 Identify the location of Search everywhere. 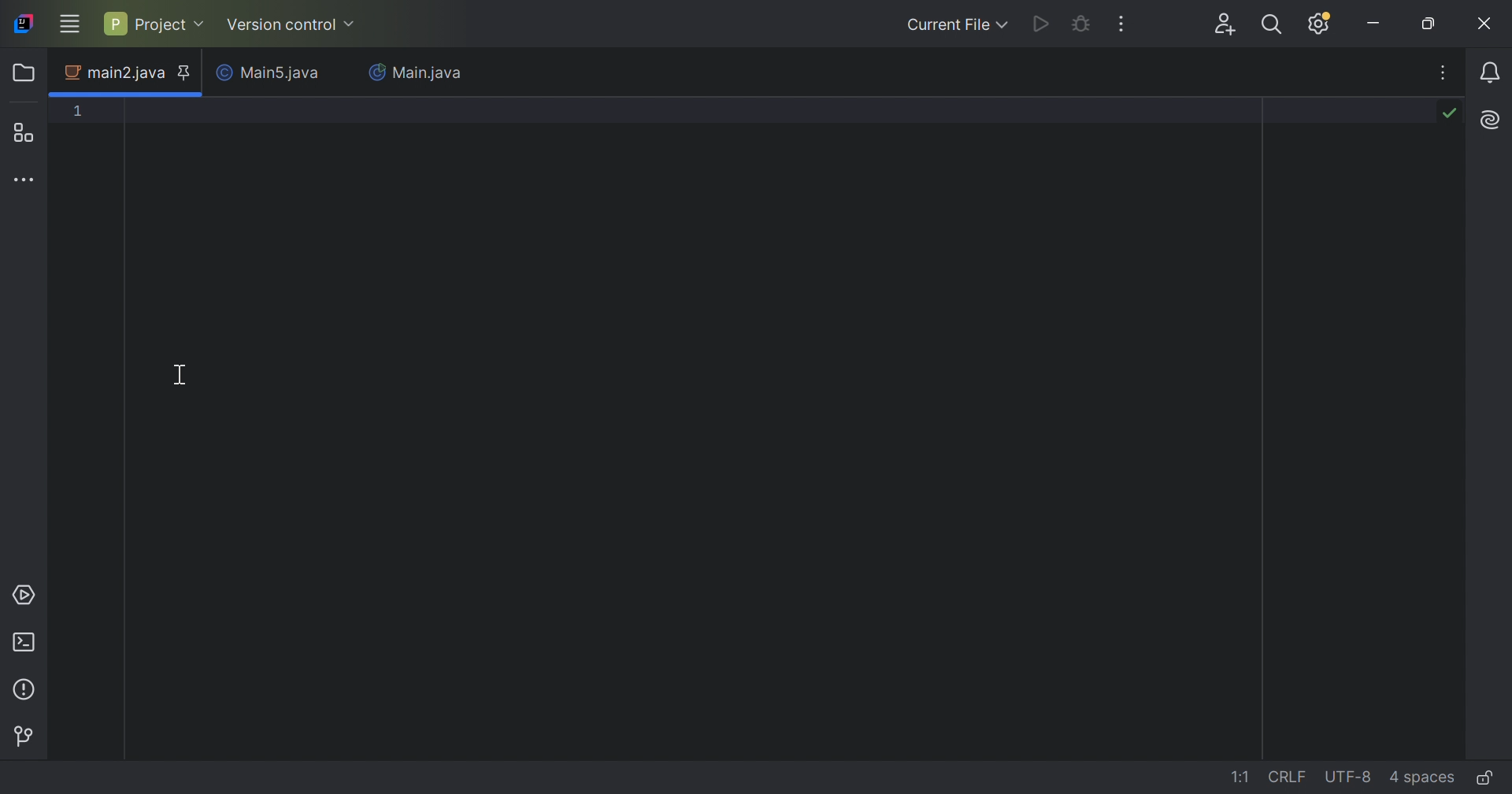
(1276, 27).